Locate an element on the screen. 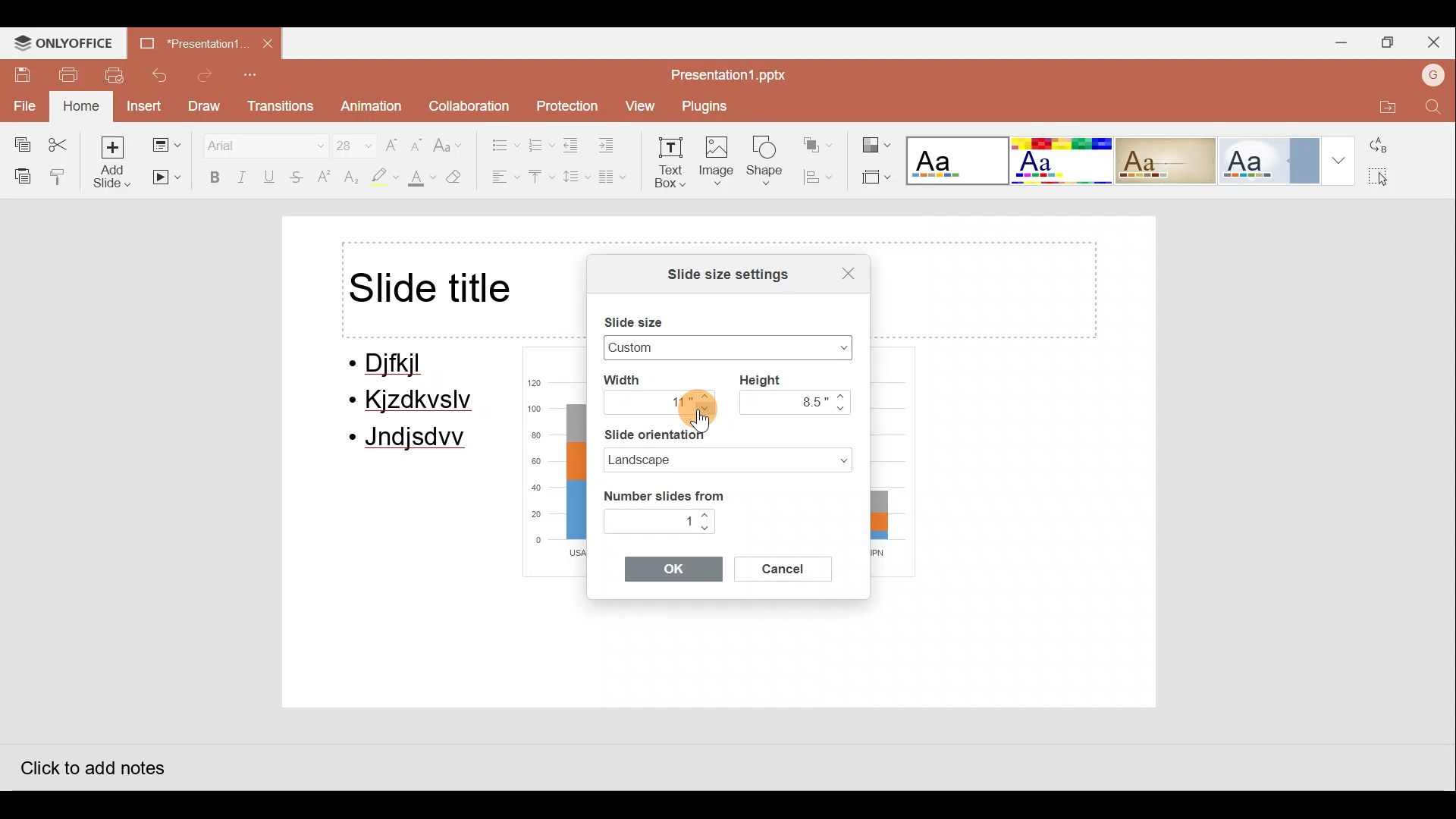 This screenshot has width=1456, height=819. Undo is located at coordinates (162, 75).